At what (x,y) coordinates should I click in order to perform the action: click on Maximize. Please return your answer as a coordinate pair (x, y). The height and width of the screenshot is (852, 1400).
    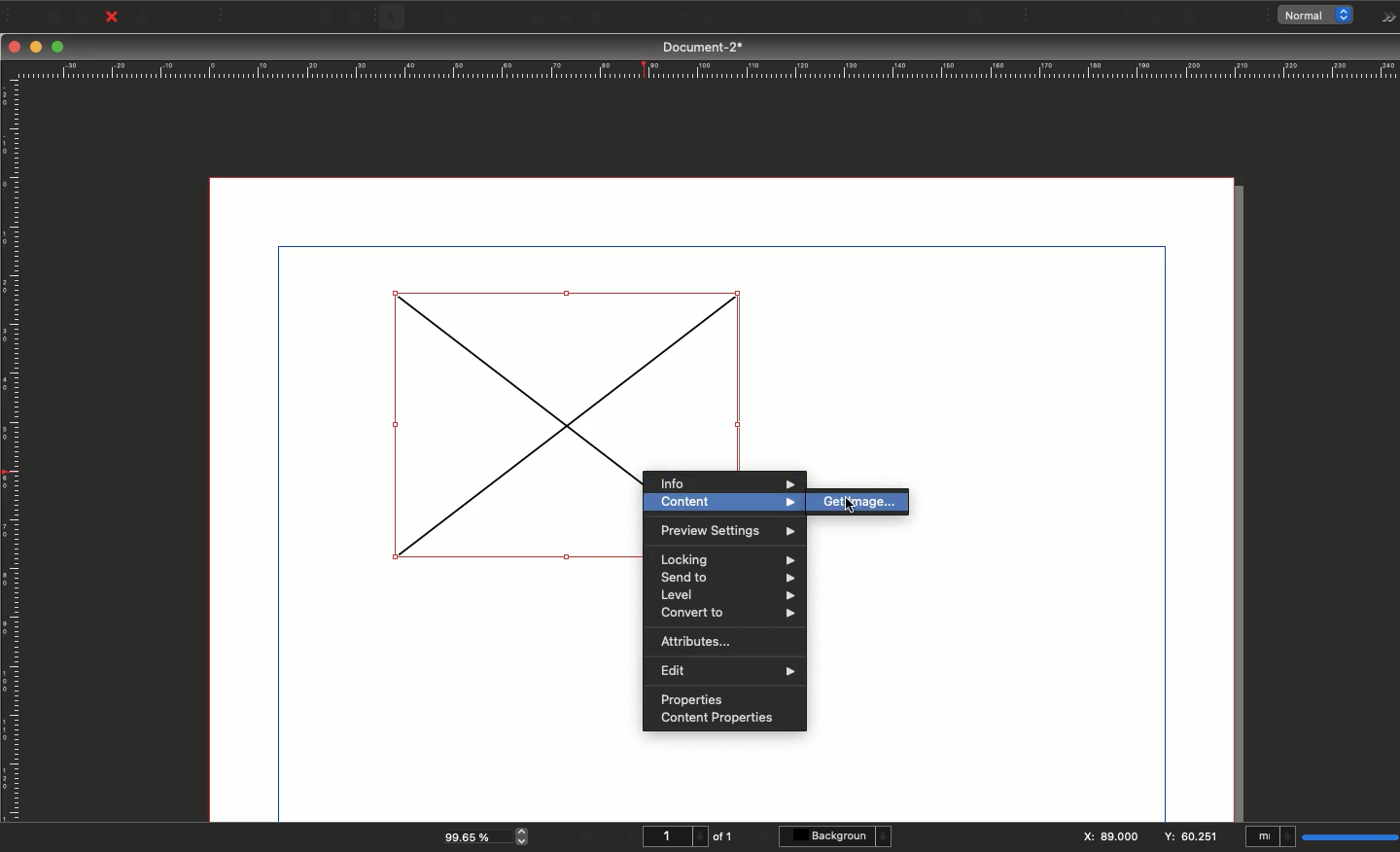
    Looking at the image, I should click on (59, 49).